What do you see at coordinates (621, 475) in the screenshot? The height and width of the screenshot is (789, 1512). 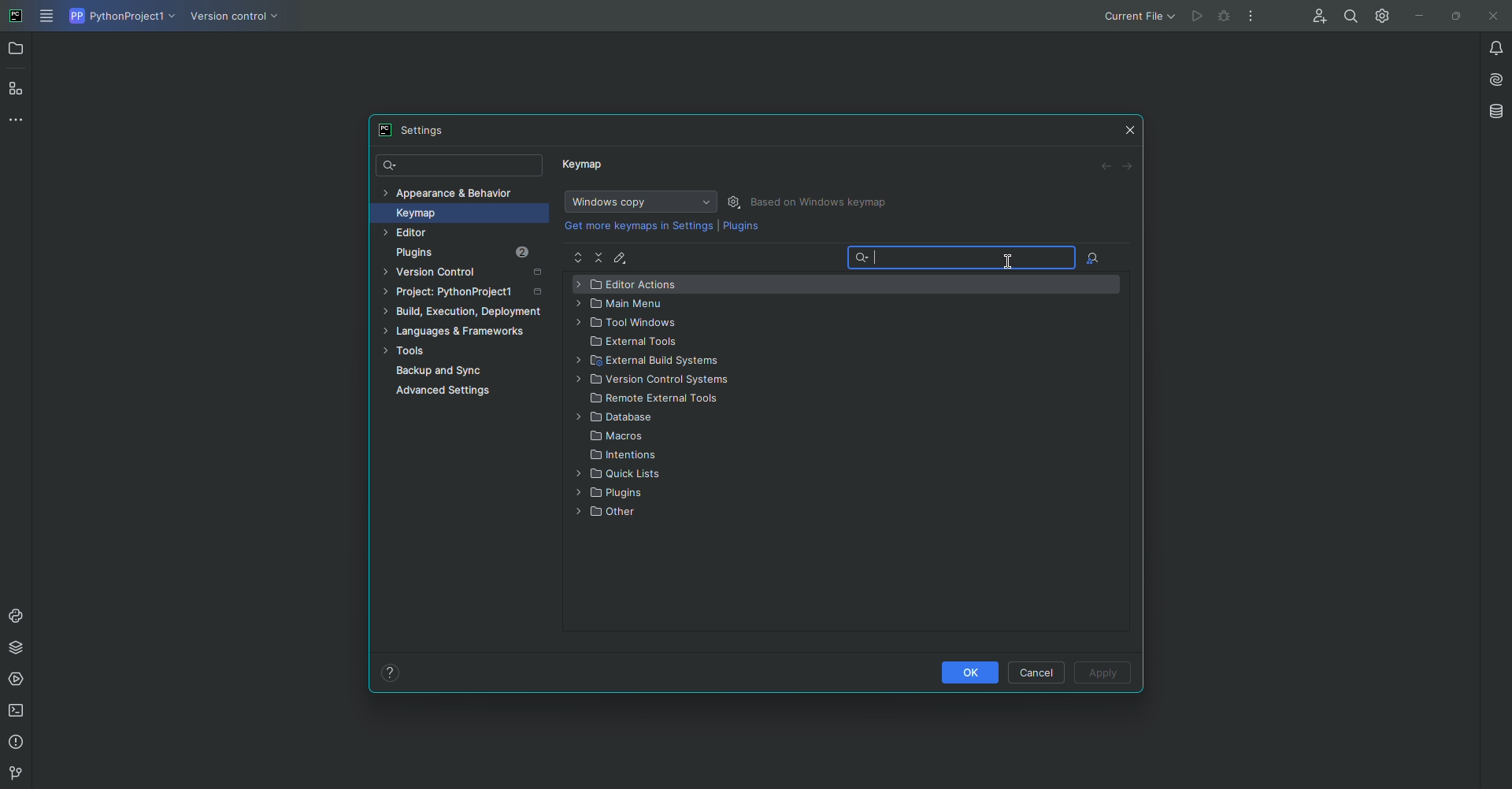 I see `Quick Lists` at bounding box center [621, 475].